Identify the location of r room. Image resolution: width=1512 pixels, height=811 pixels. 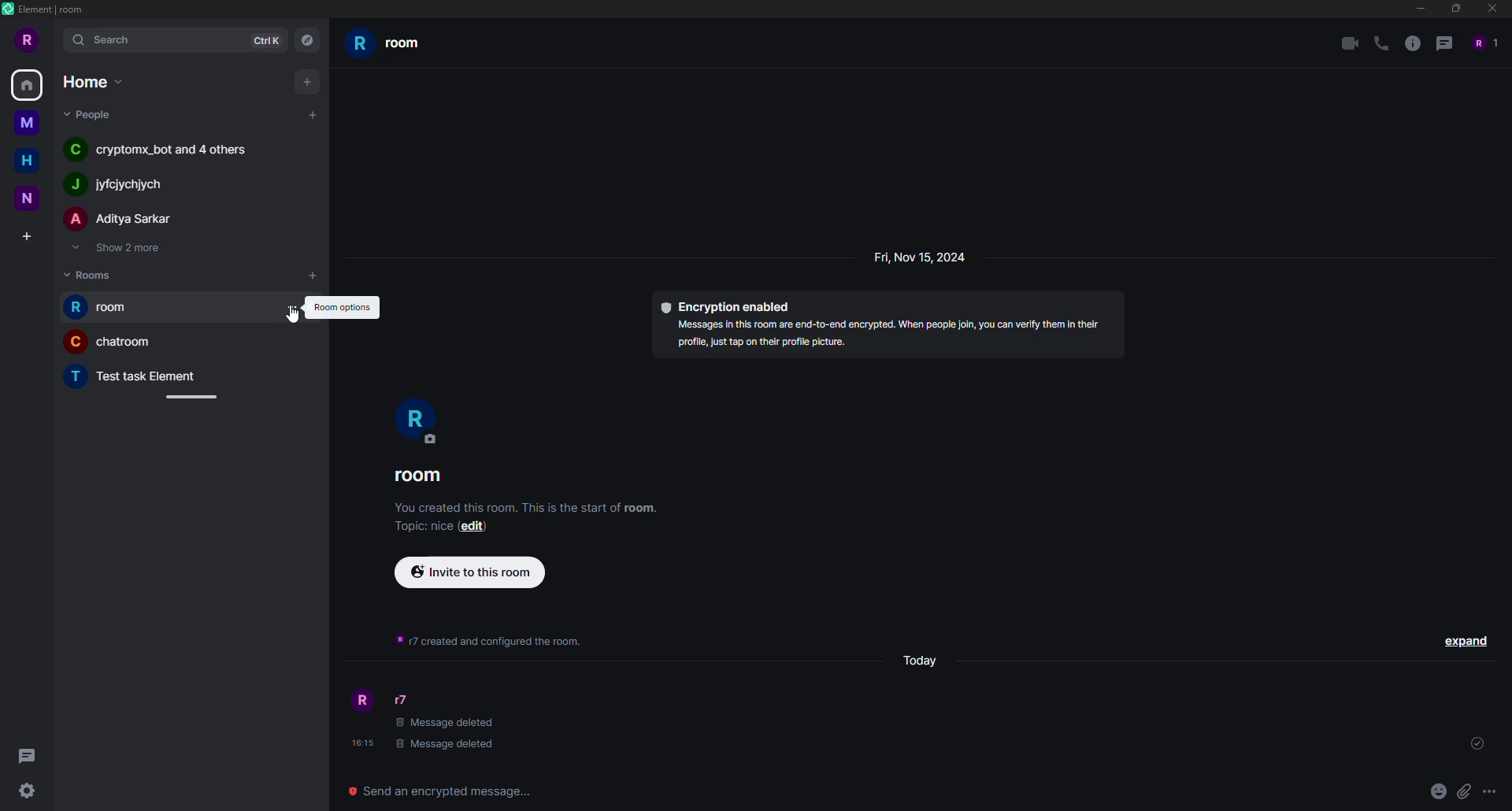
(106, 306).